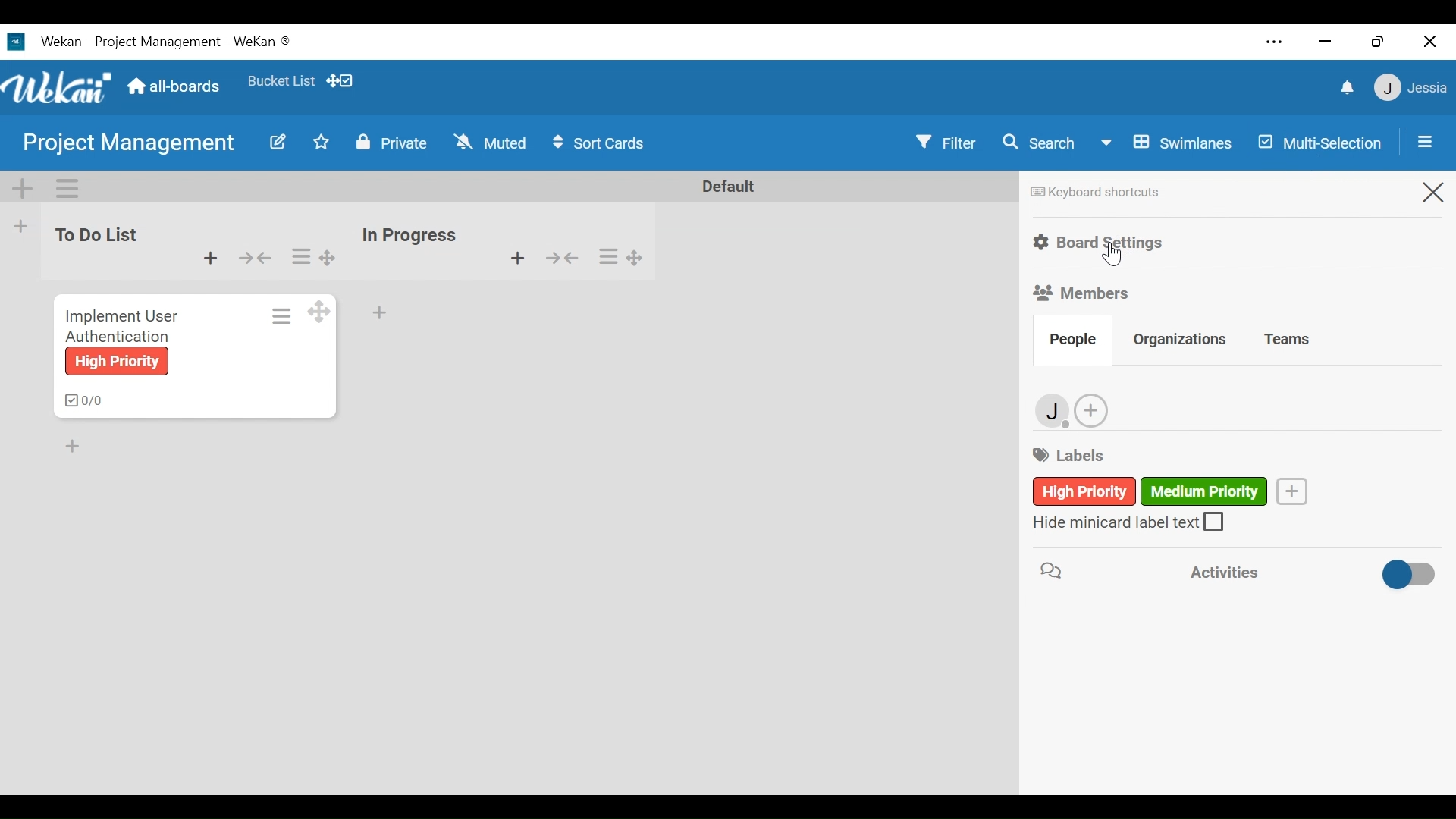  What do you see at coordinates (1349, 88) in the screenshot?
I see `notifications` at bounding box center [1349, 88].